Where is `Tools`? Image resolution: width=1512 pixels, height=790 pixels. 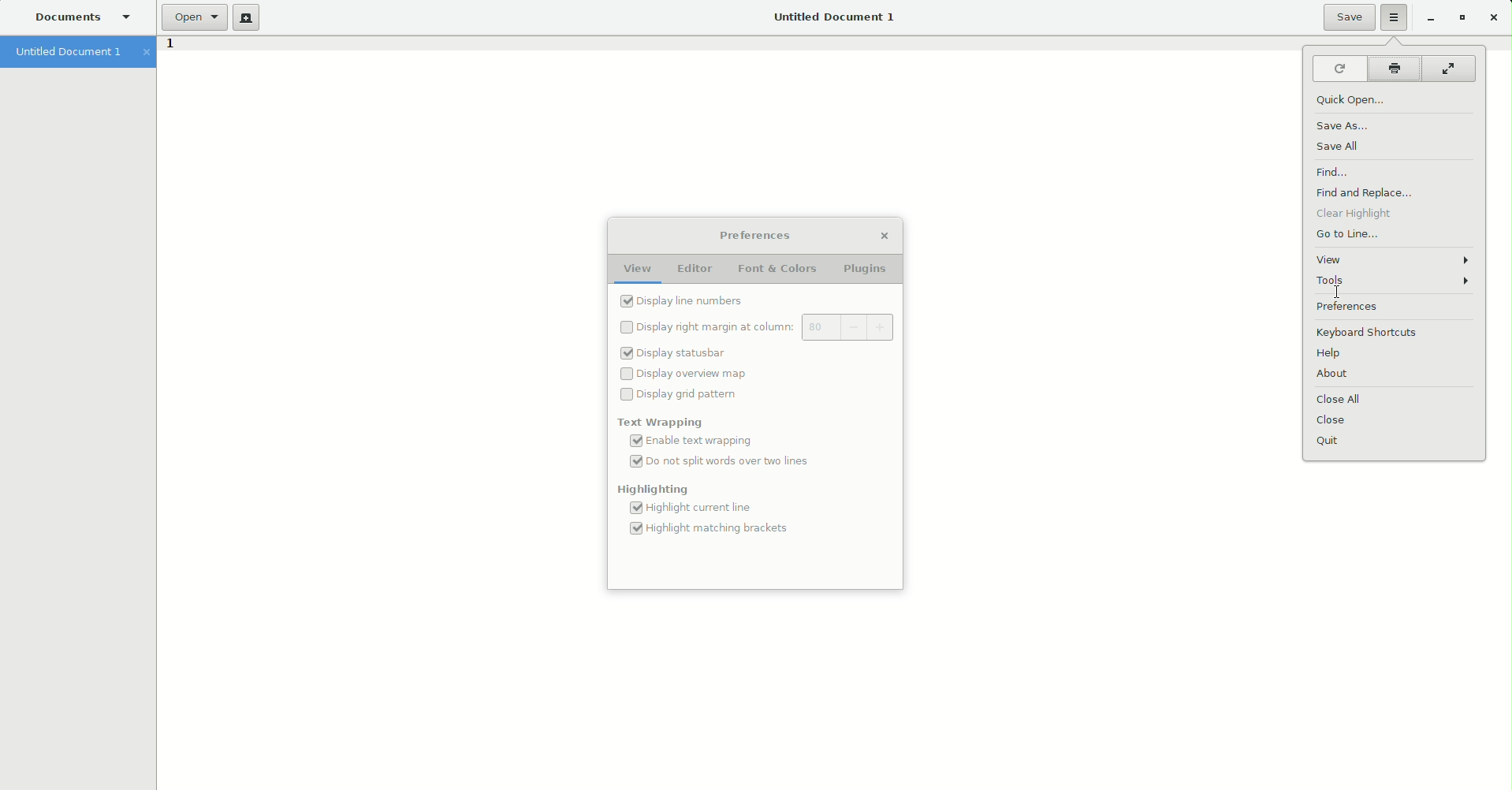 Tools is located at coordinates (1392, 282).